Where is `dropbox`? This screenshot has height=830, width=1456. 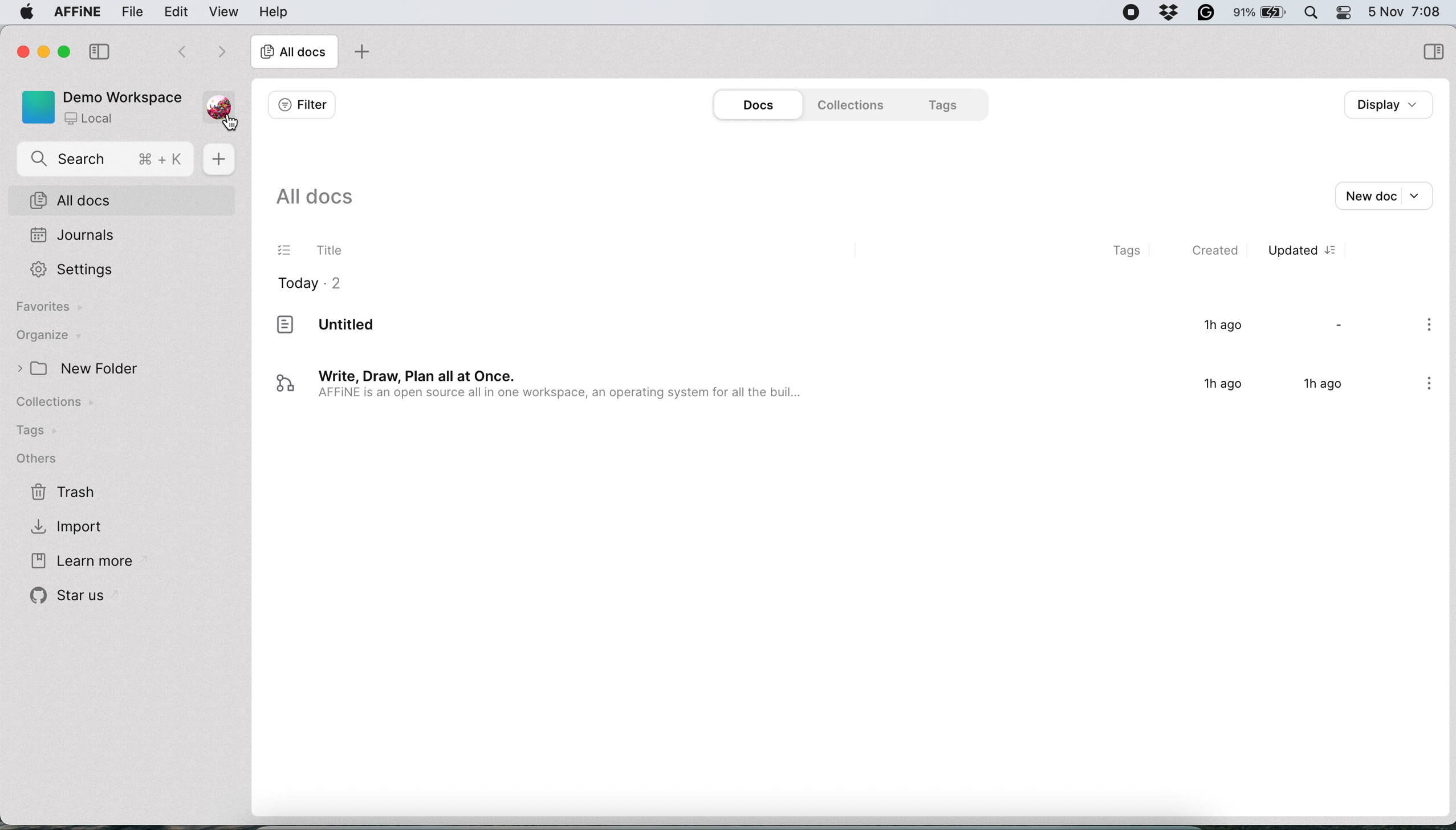 dropbox is located at coordinates (1170, 14).